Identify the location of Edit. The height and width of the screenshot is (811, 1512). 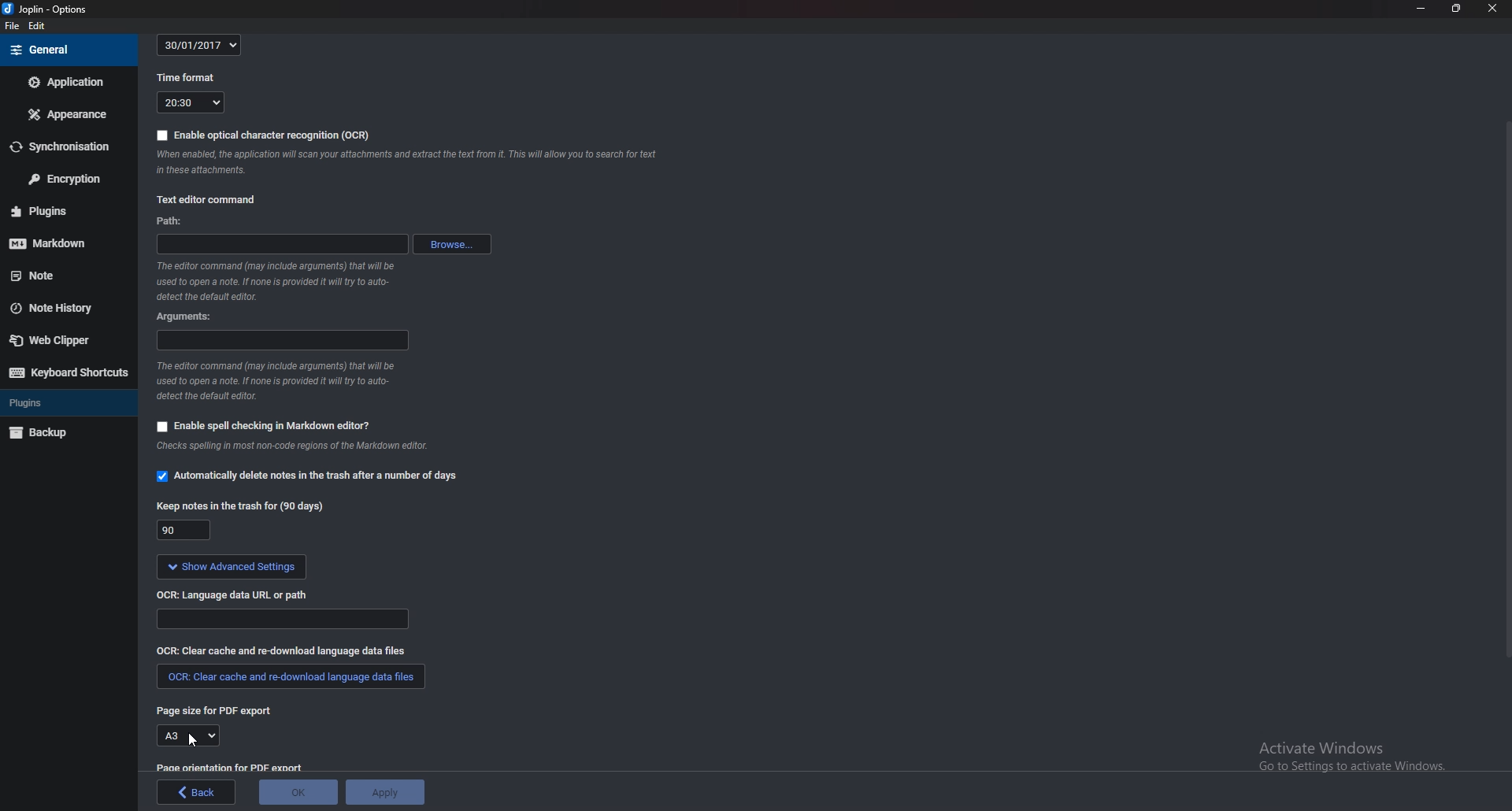
(36, 25).